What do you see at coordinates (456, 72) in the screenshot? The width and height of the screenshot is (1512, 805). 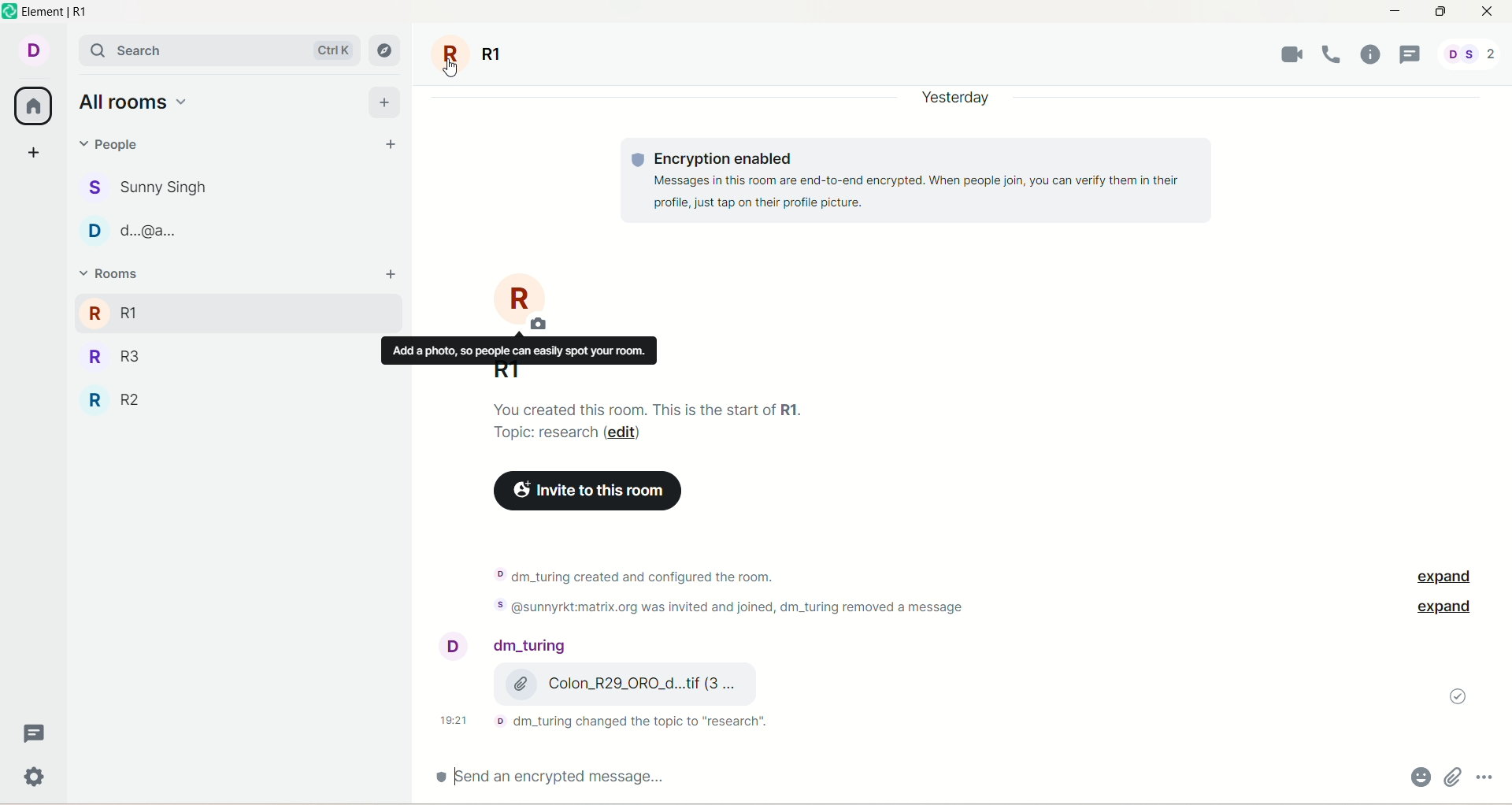 I see `cursor` at bounding box center [456, 72].